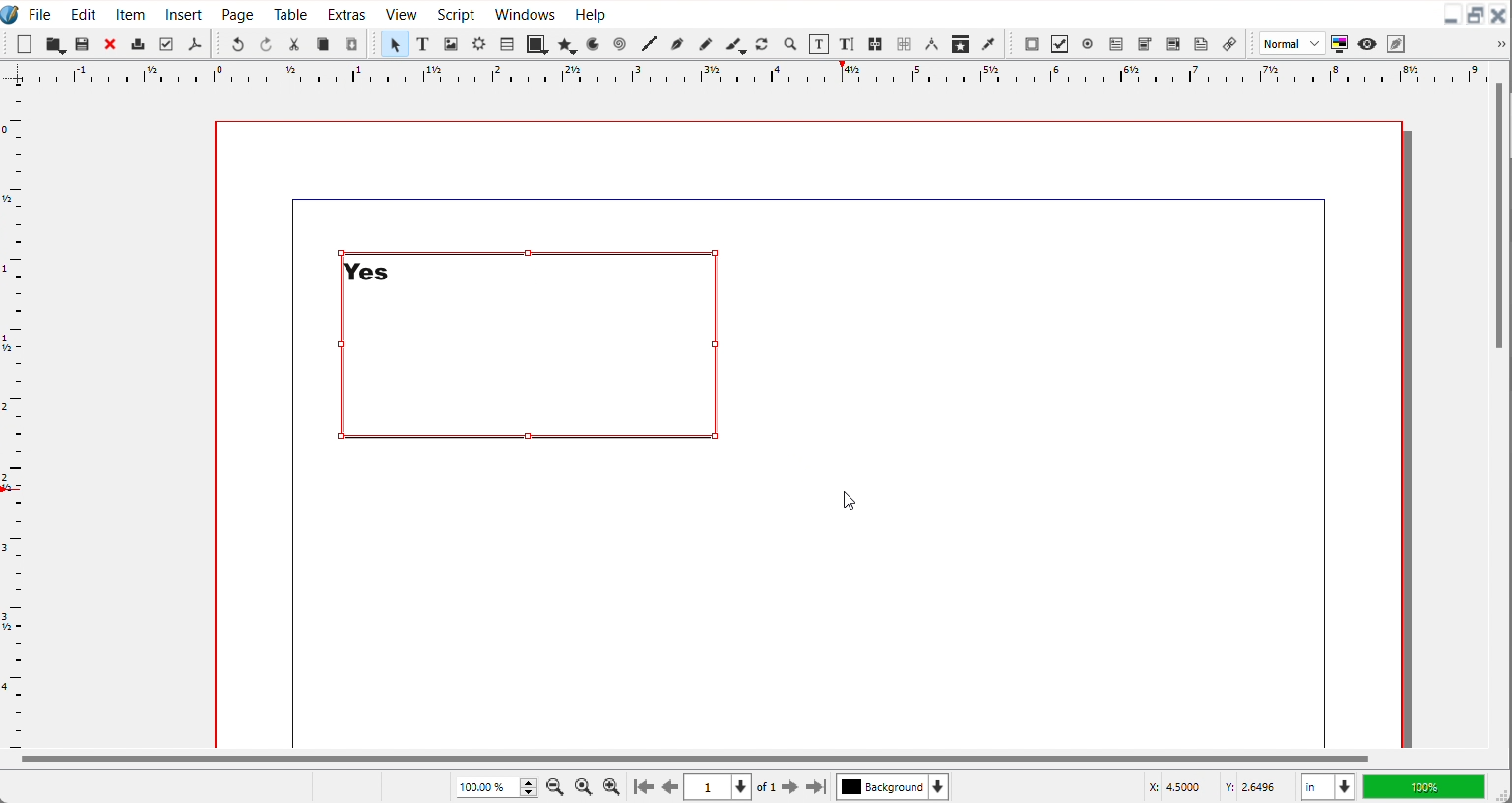 The width and height of the screenshot is (1512, 803). I want to click on Open, so click(84, 45).